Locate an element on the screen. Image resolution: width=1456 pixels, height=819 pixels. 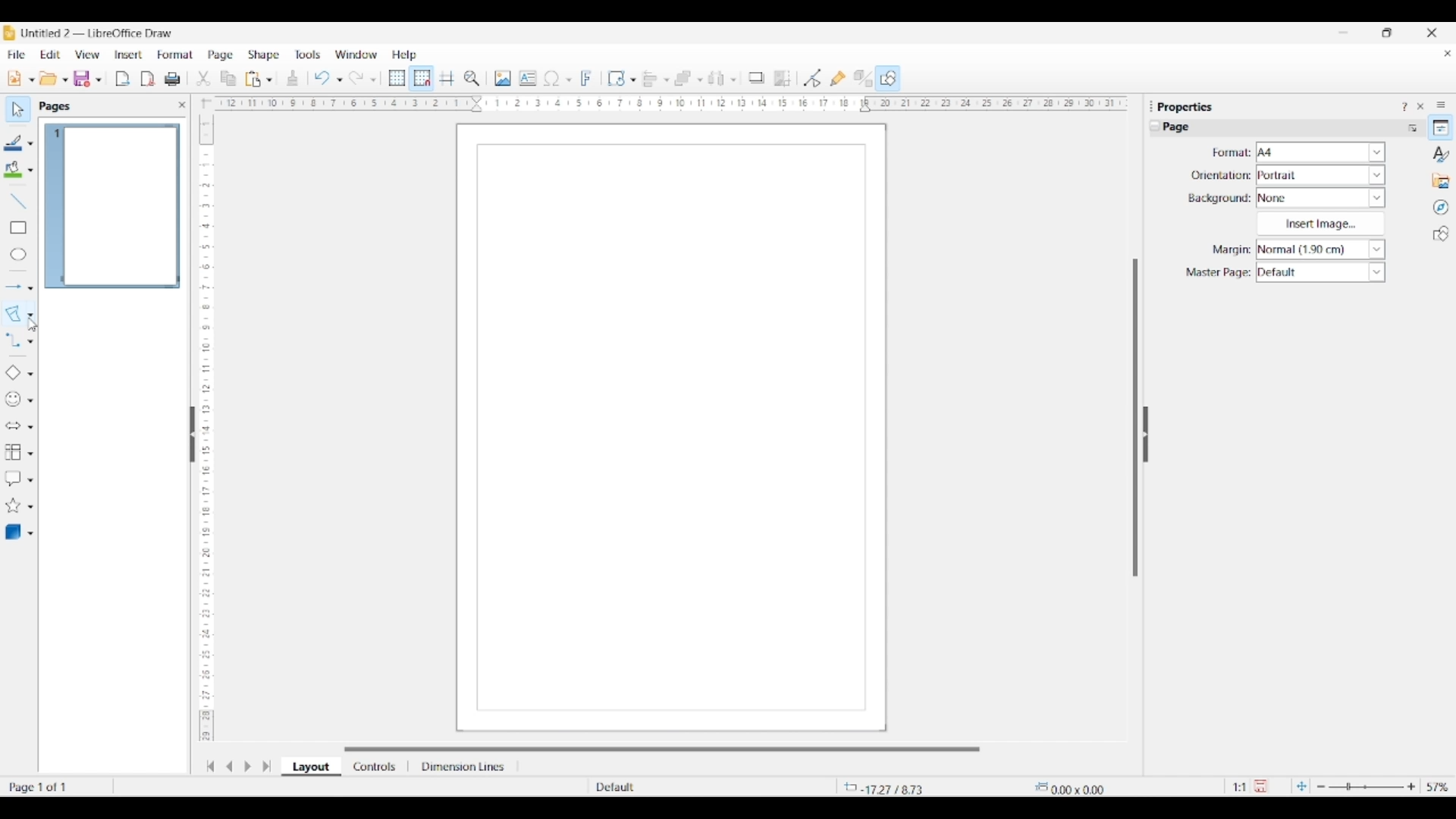
Arrange objects options is located at coordinates (700, 80).